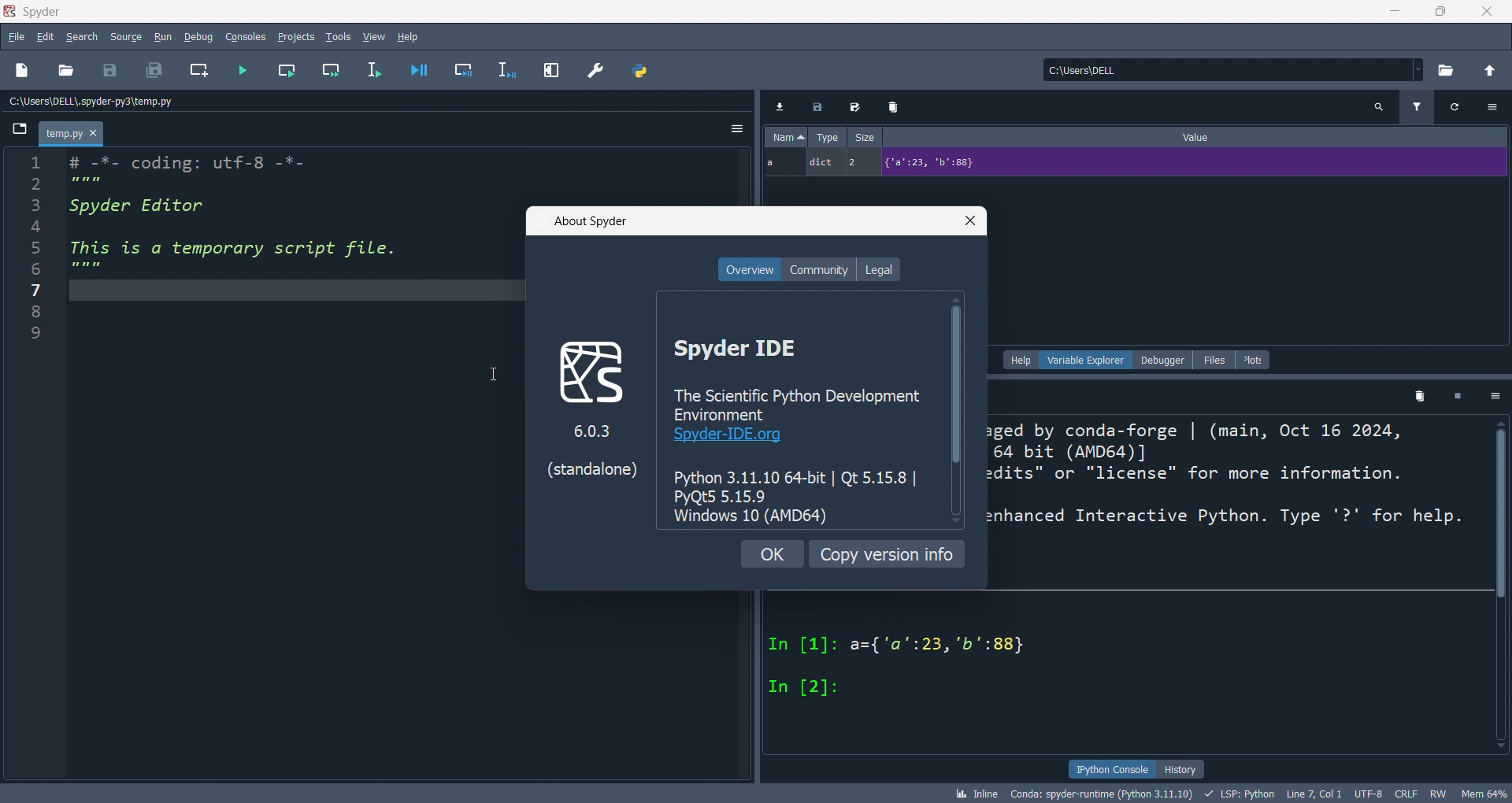 The height and width of the screenshot is (803, 1512). Describe the element at coordinates (1195, 136) in the screenshot. I see `Value` at that location.